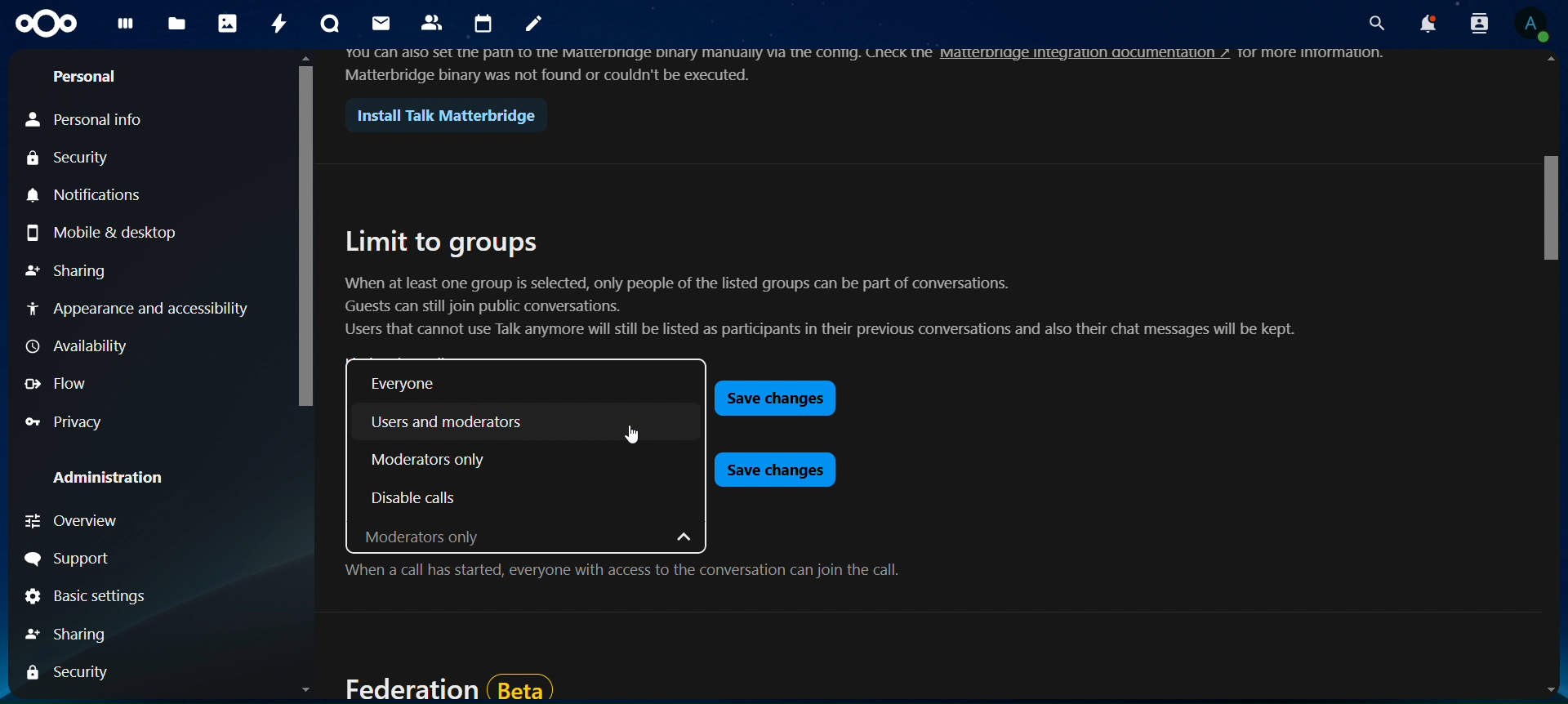  Describe the element at coordinates (77, 520) in the screenshot. I see `overview` at that location.